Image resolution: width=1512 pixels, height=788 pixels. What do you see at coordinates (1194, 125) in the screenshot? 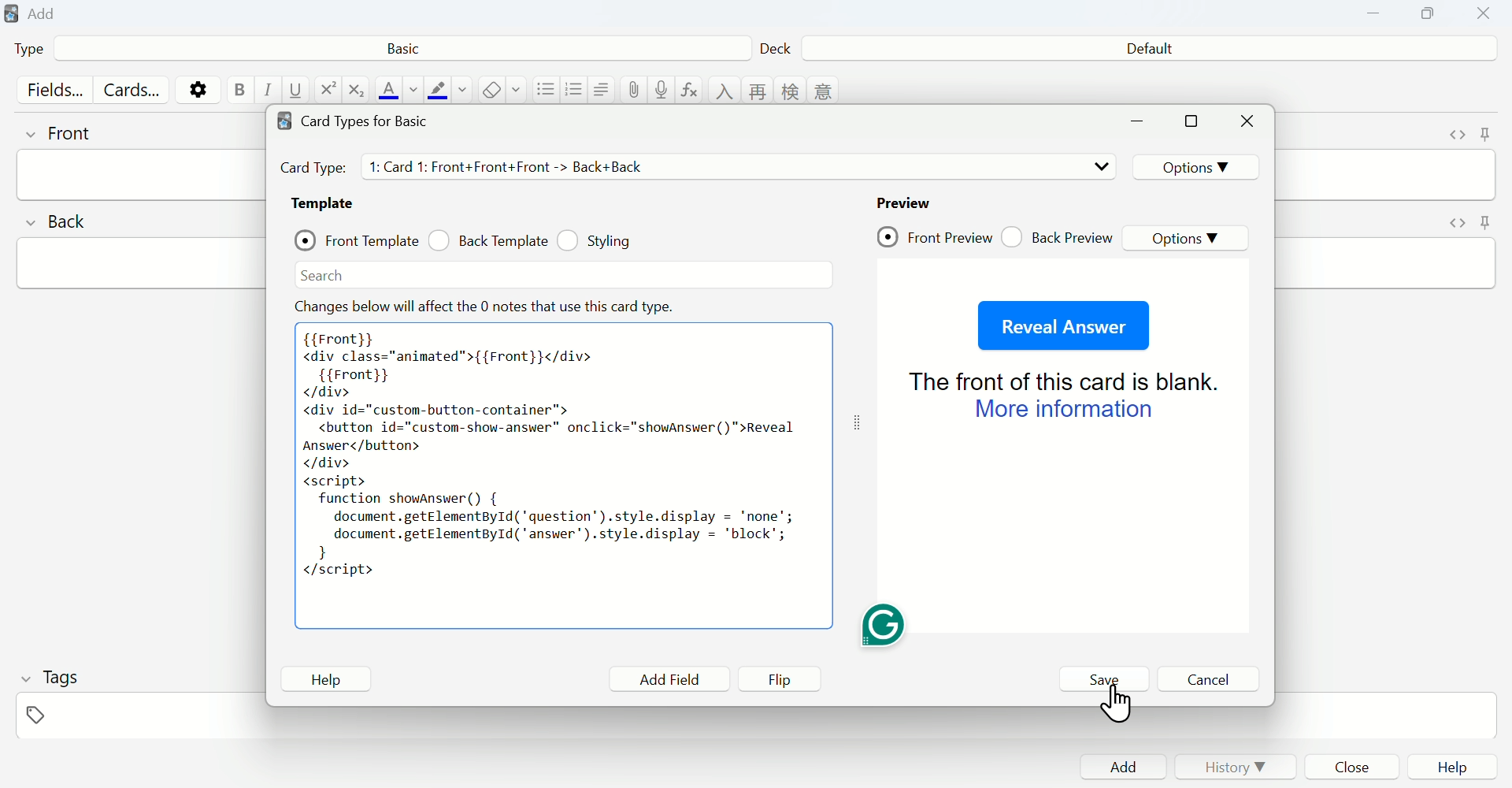
I see `maximize` at bounding box center [1194, 125].